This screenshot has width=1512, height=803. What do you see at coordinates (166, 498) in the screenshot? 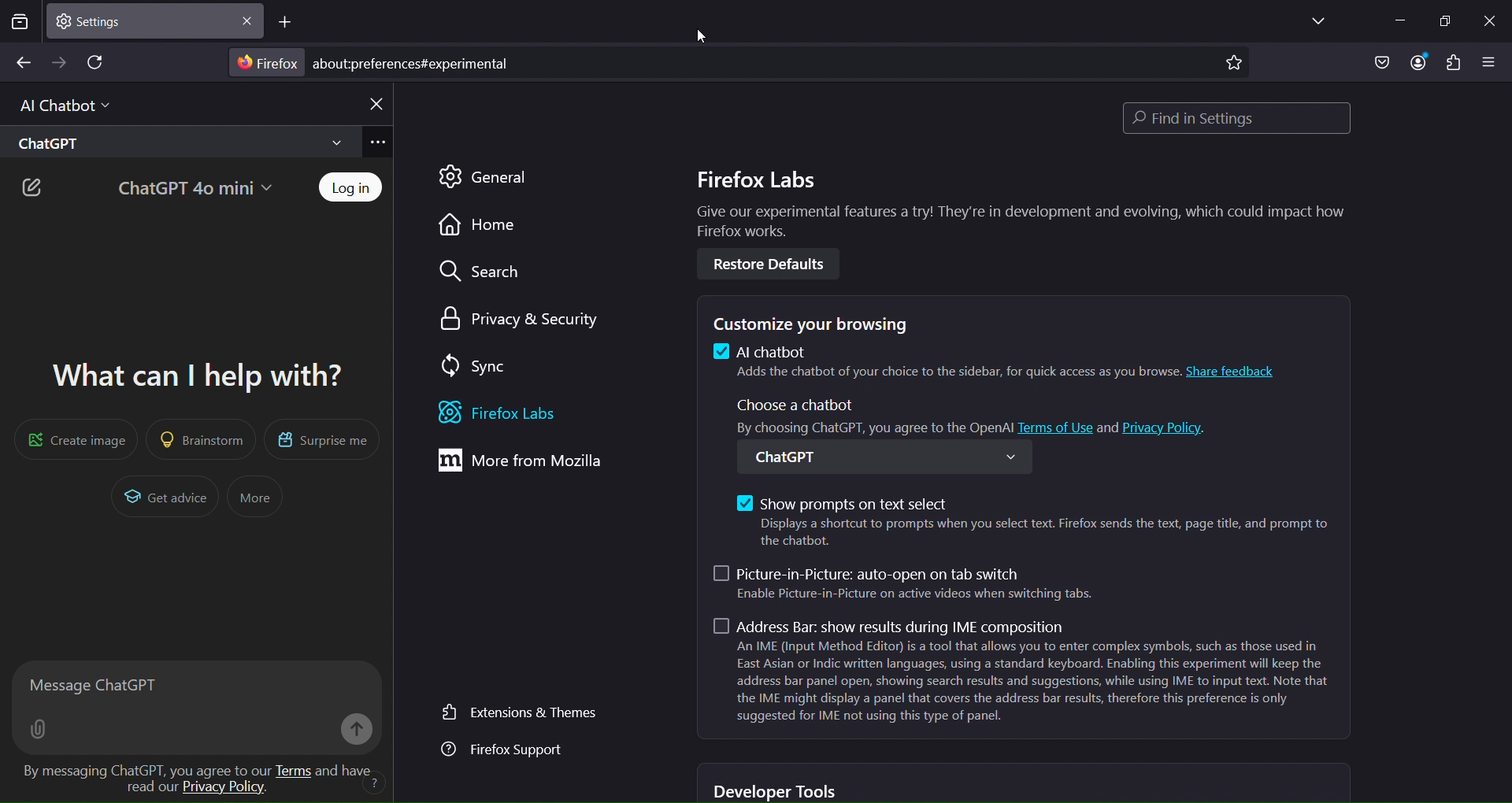
I see ` Get advice` at bounding box center [166, 498].